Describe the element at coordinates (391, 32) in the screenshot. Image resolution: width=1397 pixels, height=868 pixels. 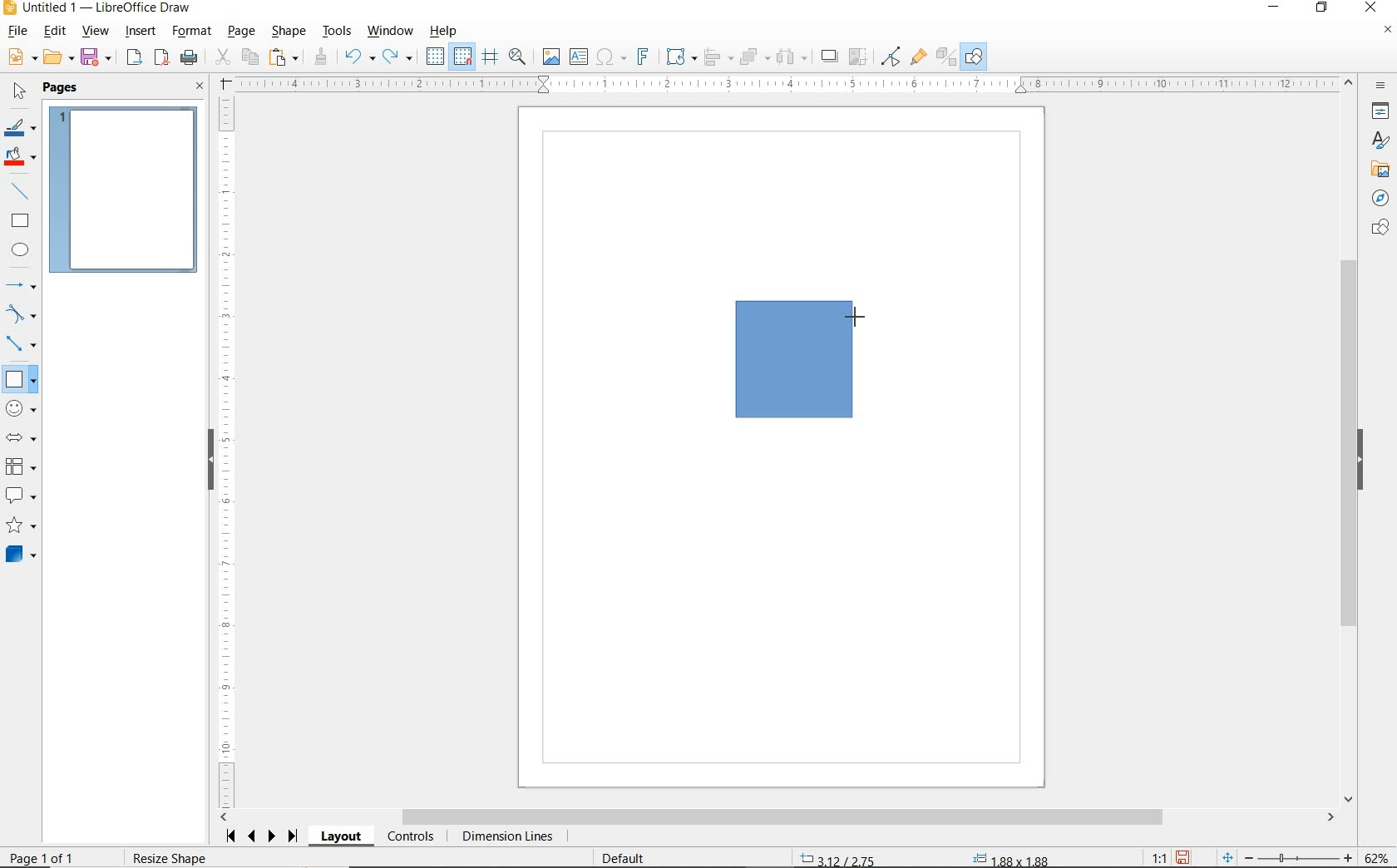
I see `WINDOW` at that location.